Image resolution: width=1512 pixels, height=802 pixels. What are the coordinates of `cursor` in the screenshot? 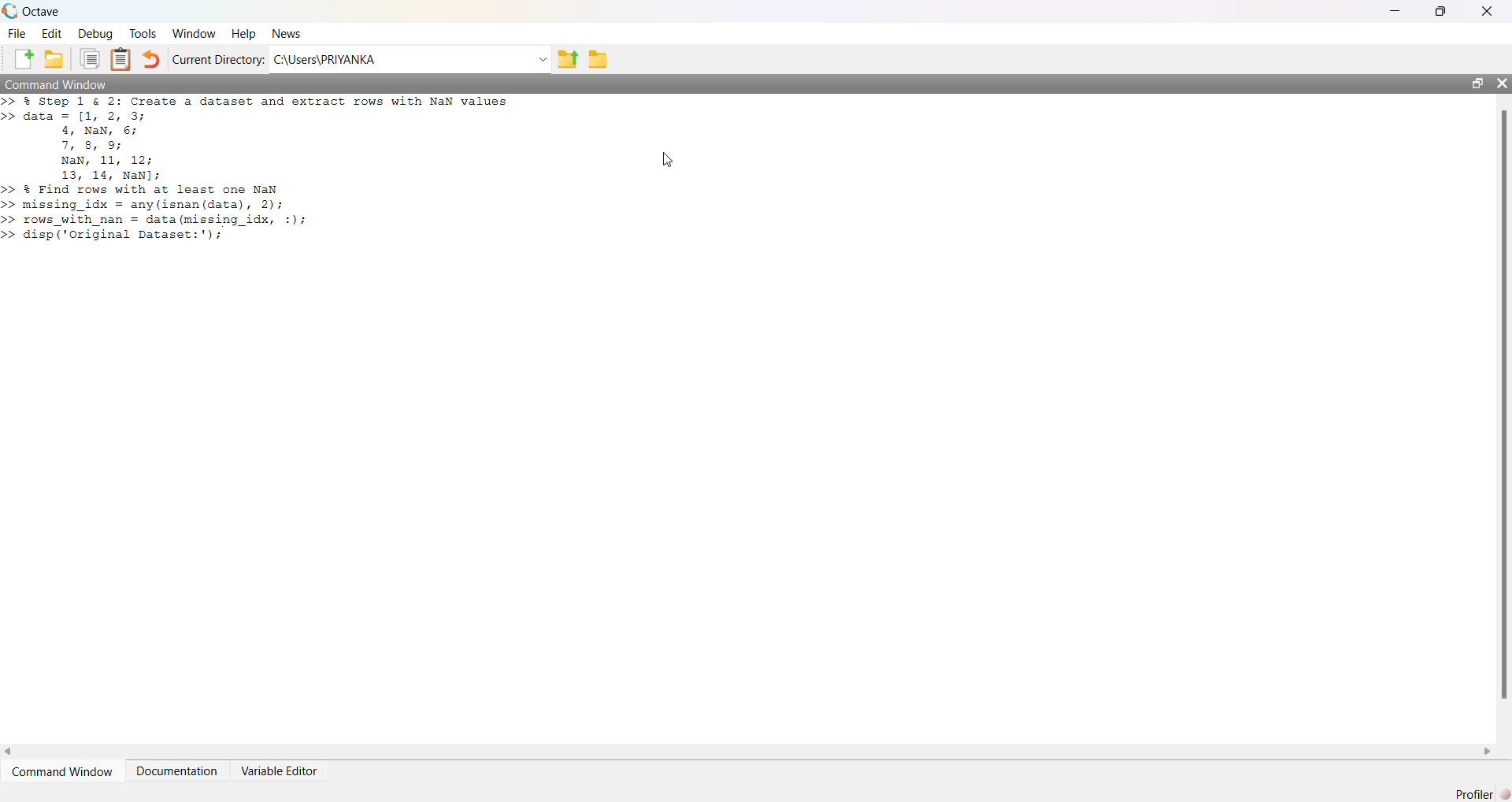 It's located at (669, 160).